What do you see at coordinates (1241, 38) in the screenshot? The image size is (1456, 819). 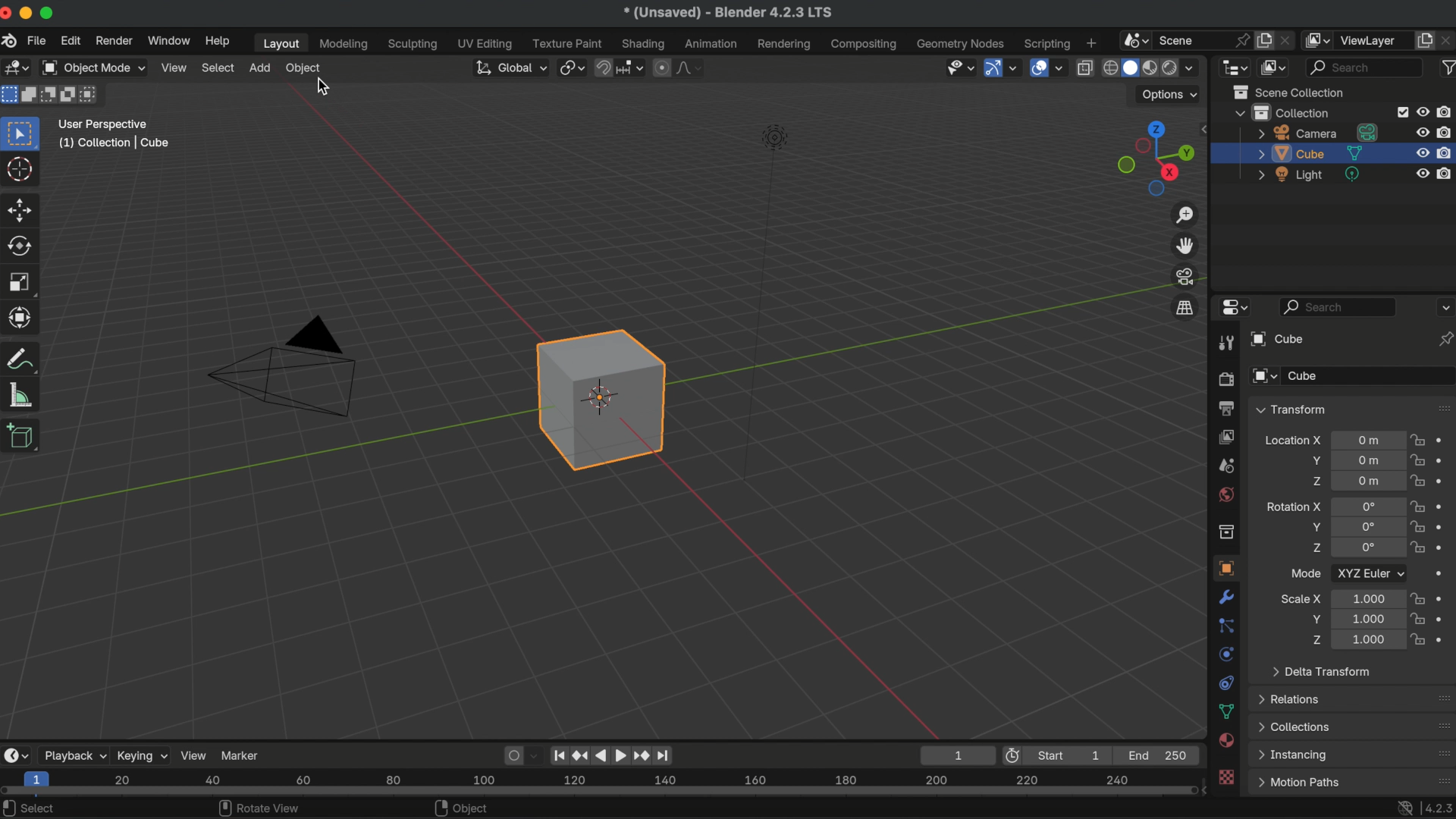 I see `pin scene to workspace` at bounding box center [1241, 38].